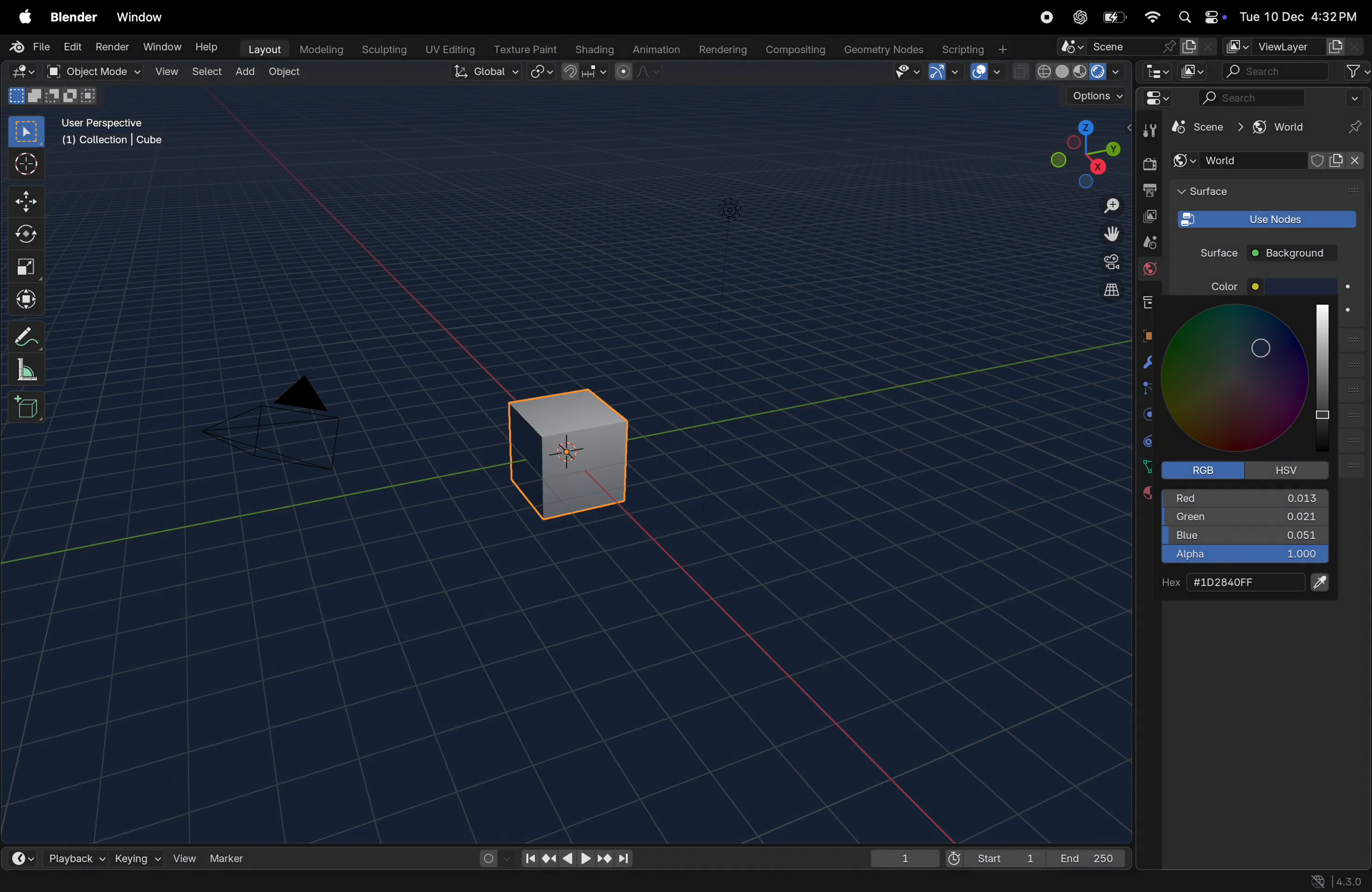  What do you see at coordinates (1136, 46) in the screenshot?
I see `scene` at bounding box center [1136, 46].